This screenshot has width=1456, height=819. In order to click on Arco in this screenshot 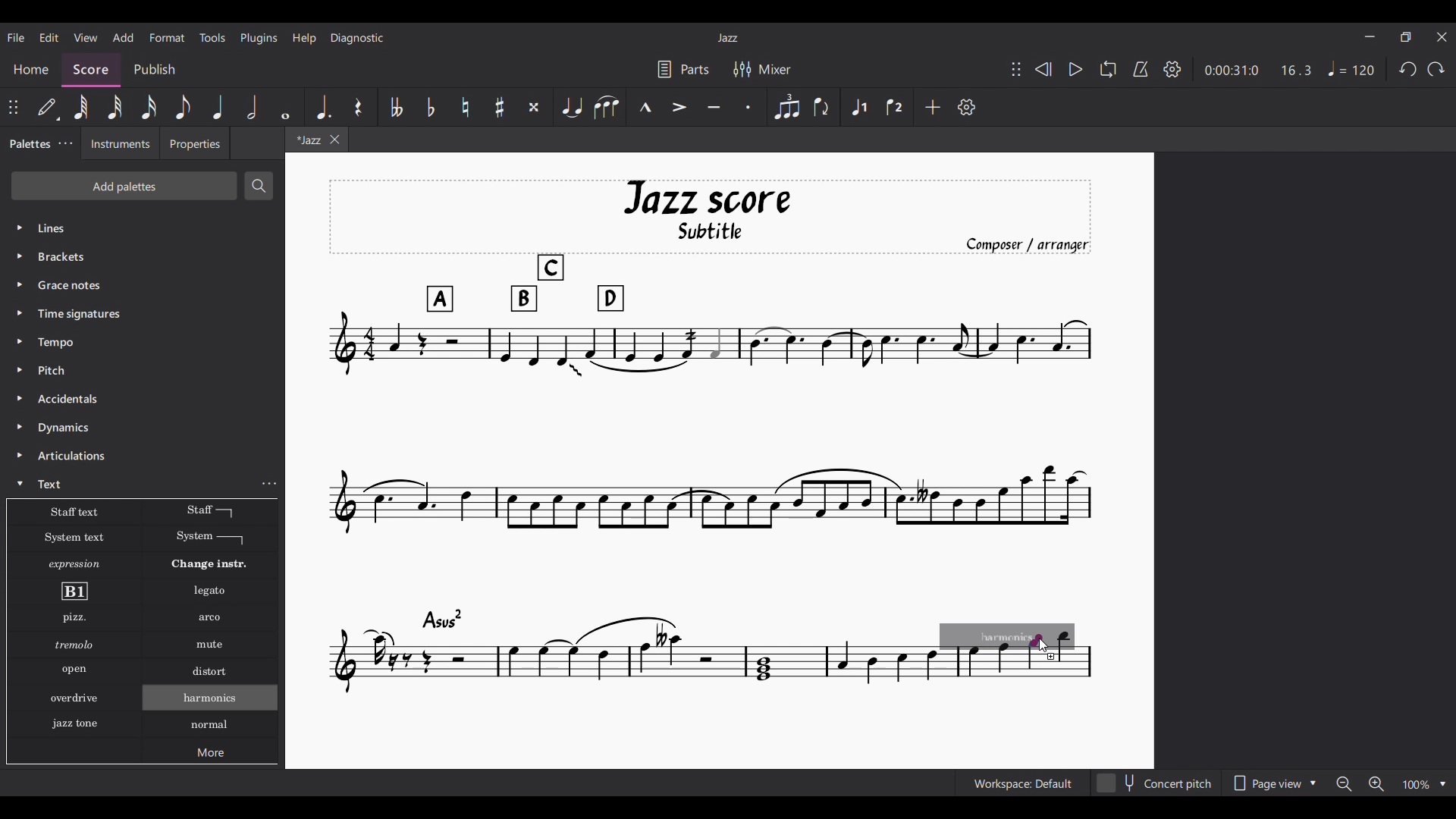, I will do `click(211, 618)`.